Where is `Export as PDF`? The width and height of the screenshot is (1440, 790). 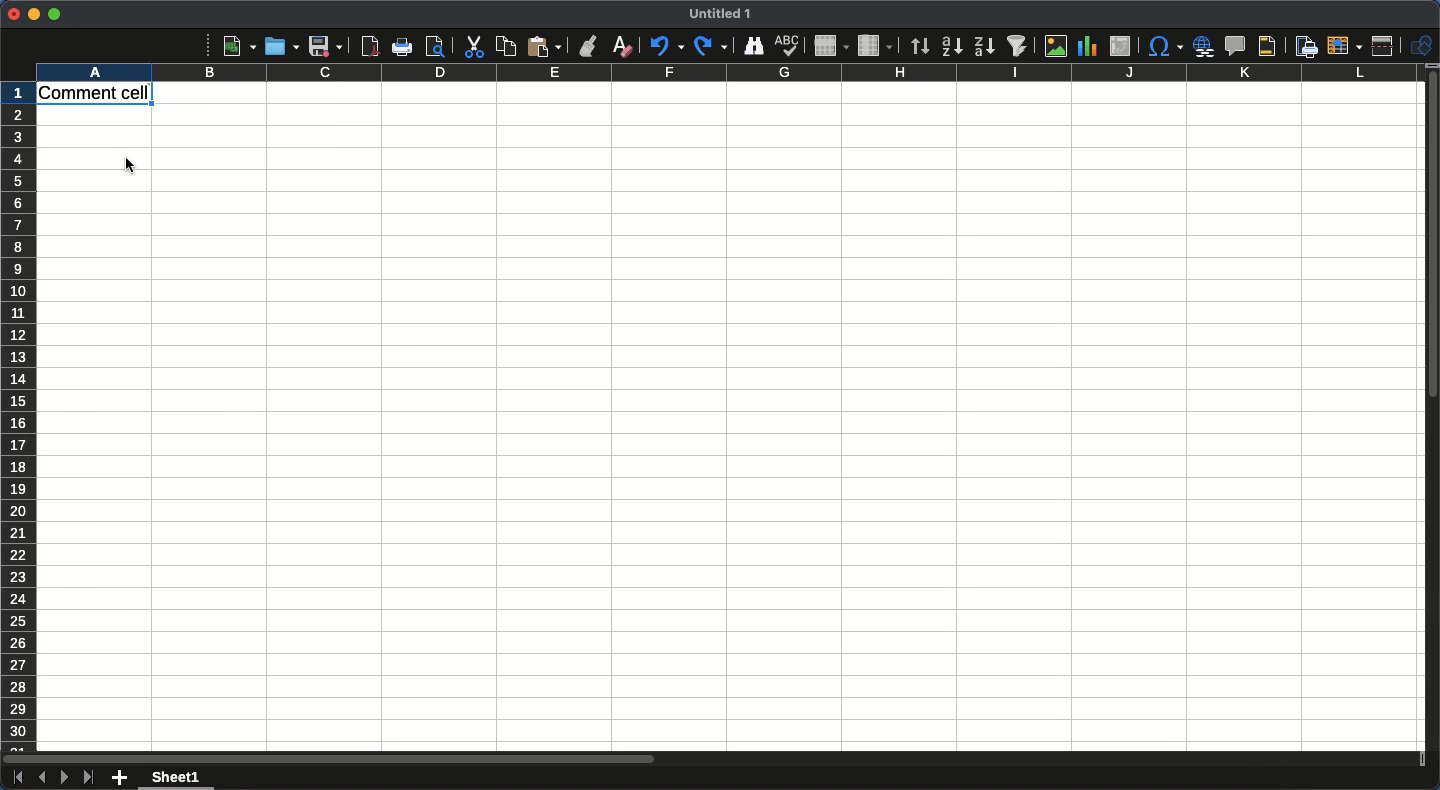
Export as PDF is located at coordinates (367, 46).